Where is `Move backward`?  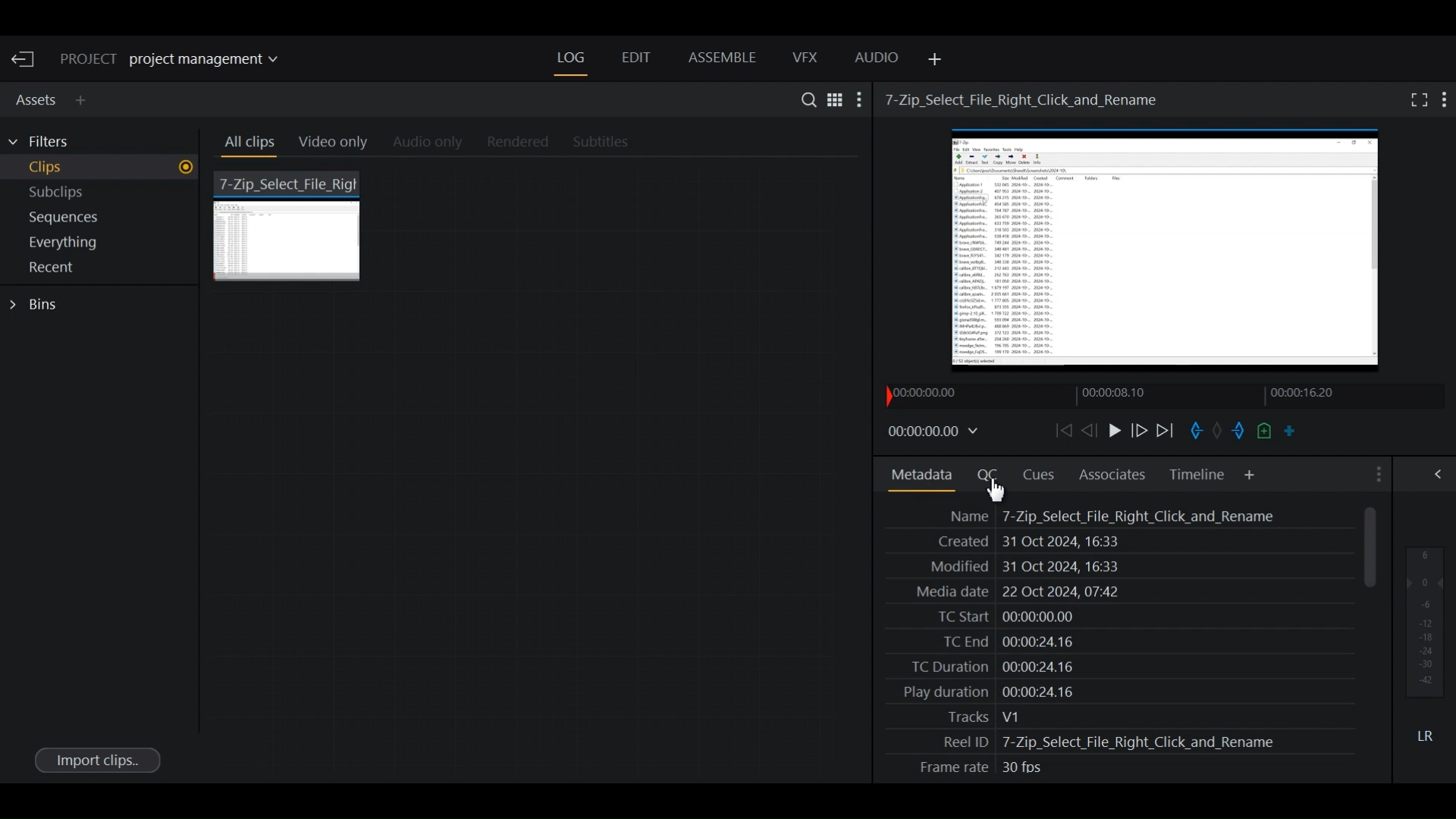 Move backward is located at coordinates (1062, 430).